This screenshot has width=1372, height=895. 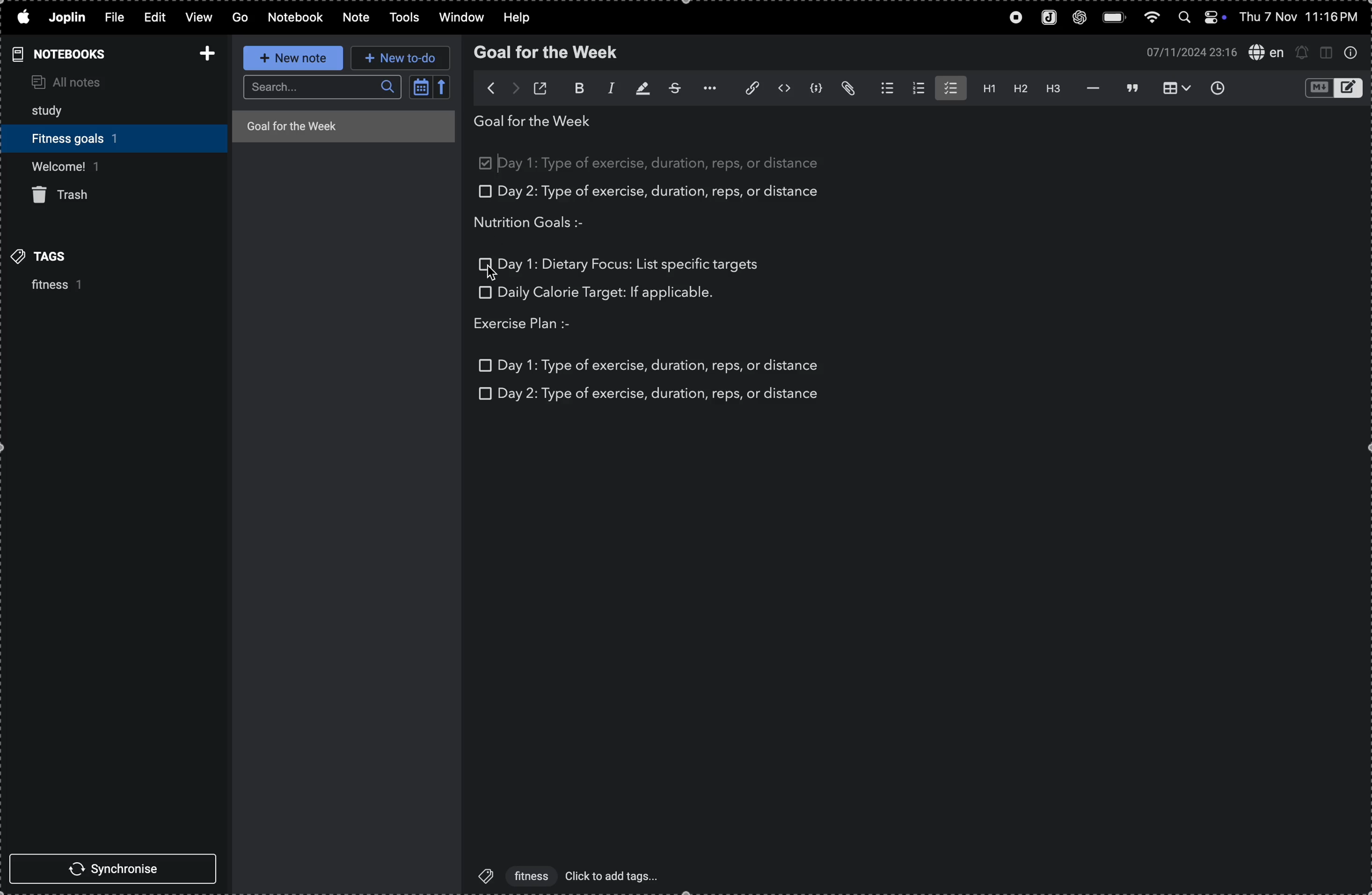 What do you see at coordinates (1017, 88) in the screenshot?
I see `heading 2` at bounding box center [1017, 88].